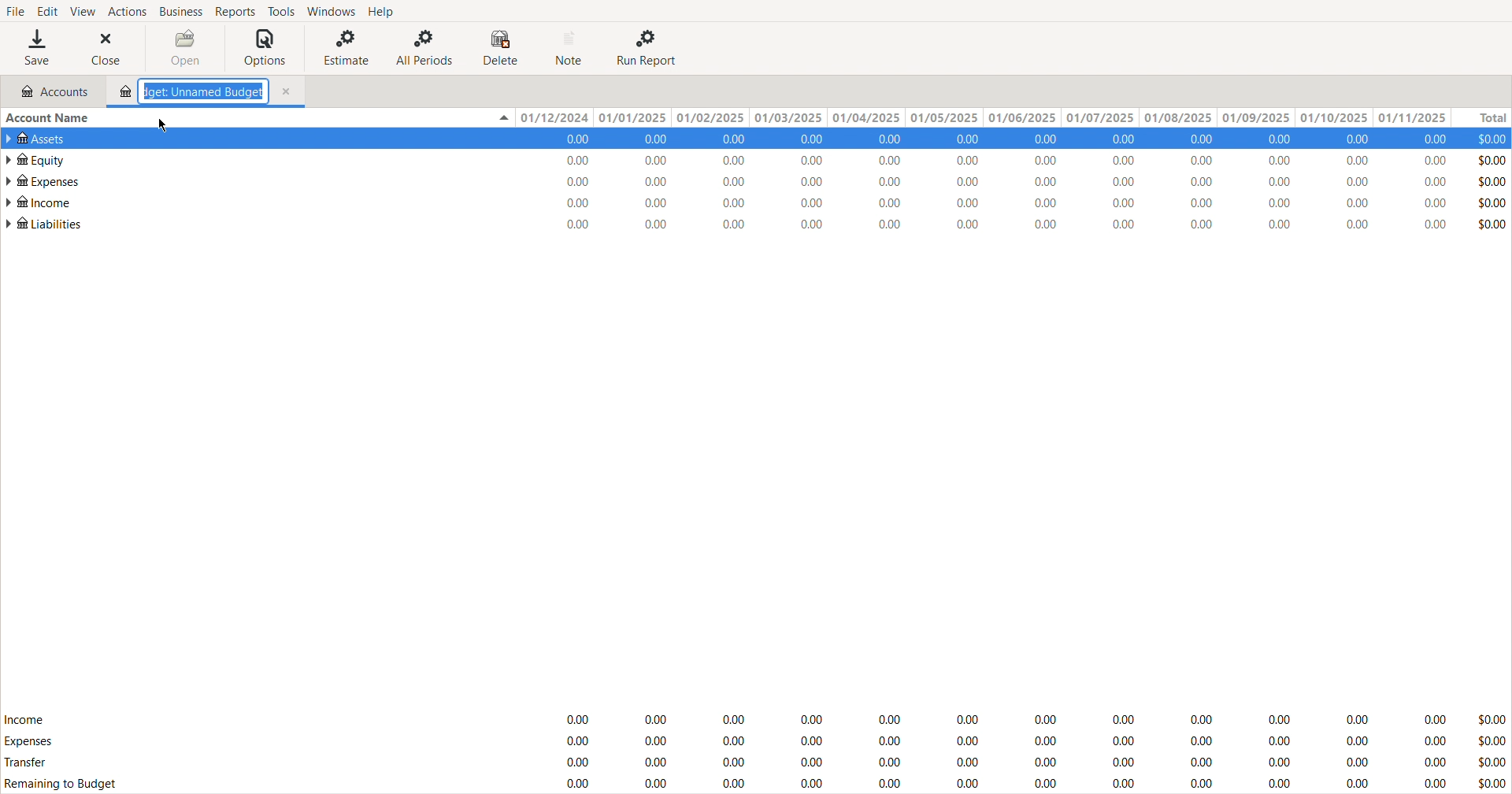 The image size is (1512, 794). What do you see at coordinates (1031, 179) in the screenshot?
I see `Values` at bounding box center [1031, 179].